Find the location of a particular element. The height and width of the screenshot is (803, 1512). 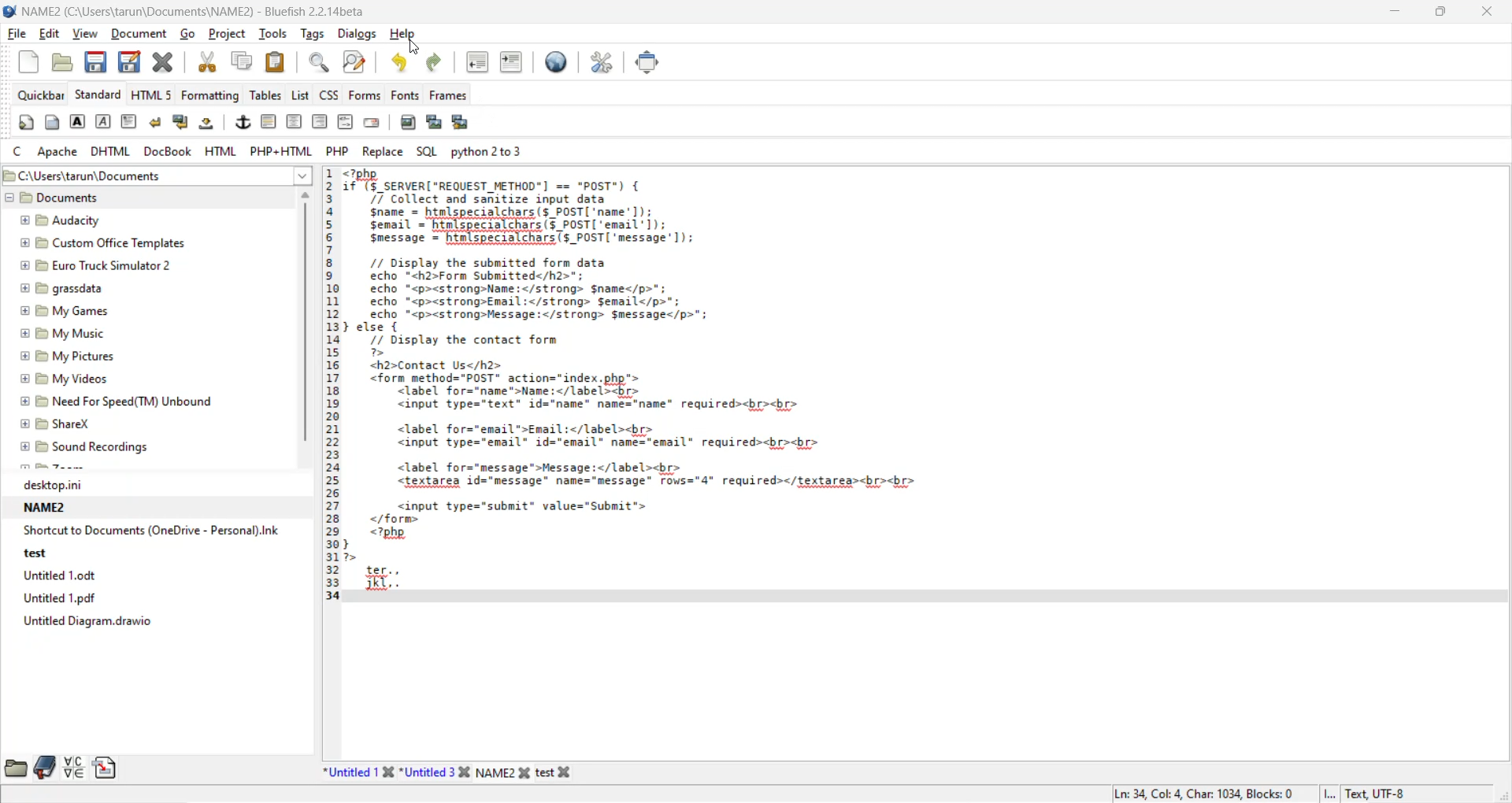

php is located at coordinates (338, 150).